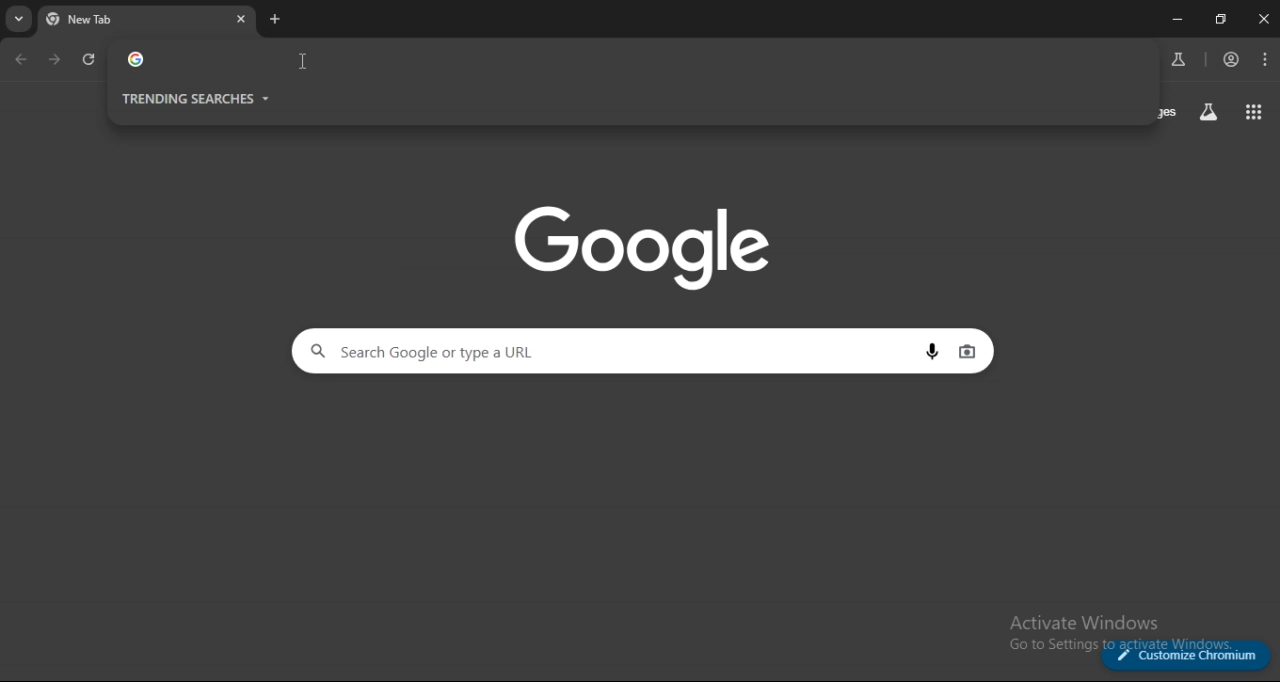 The width and height of the screenshot is (1280, 682). What do you see at coordinates (1250, 111) in the screenshot?
I see `google apps` at bounding box center [1250, 111].